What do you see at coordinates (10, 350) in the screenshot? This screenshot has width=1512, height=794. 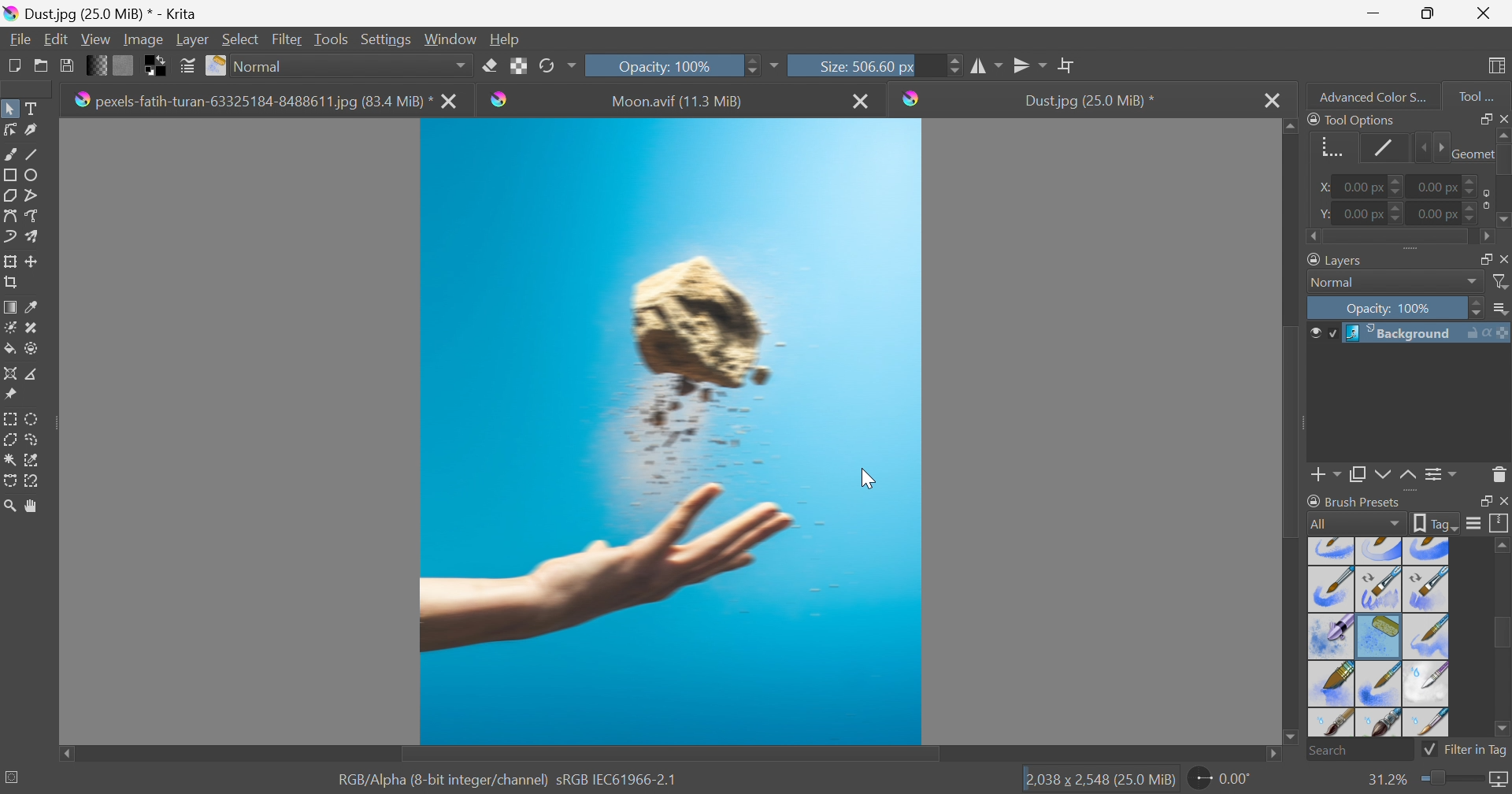 I see `Fill a contiguous area of color with a color or a fill selection` at bounding box center [10, 350].